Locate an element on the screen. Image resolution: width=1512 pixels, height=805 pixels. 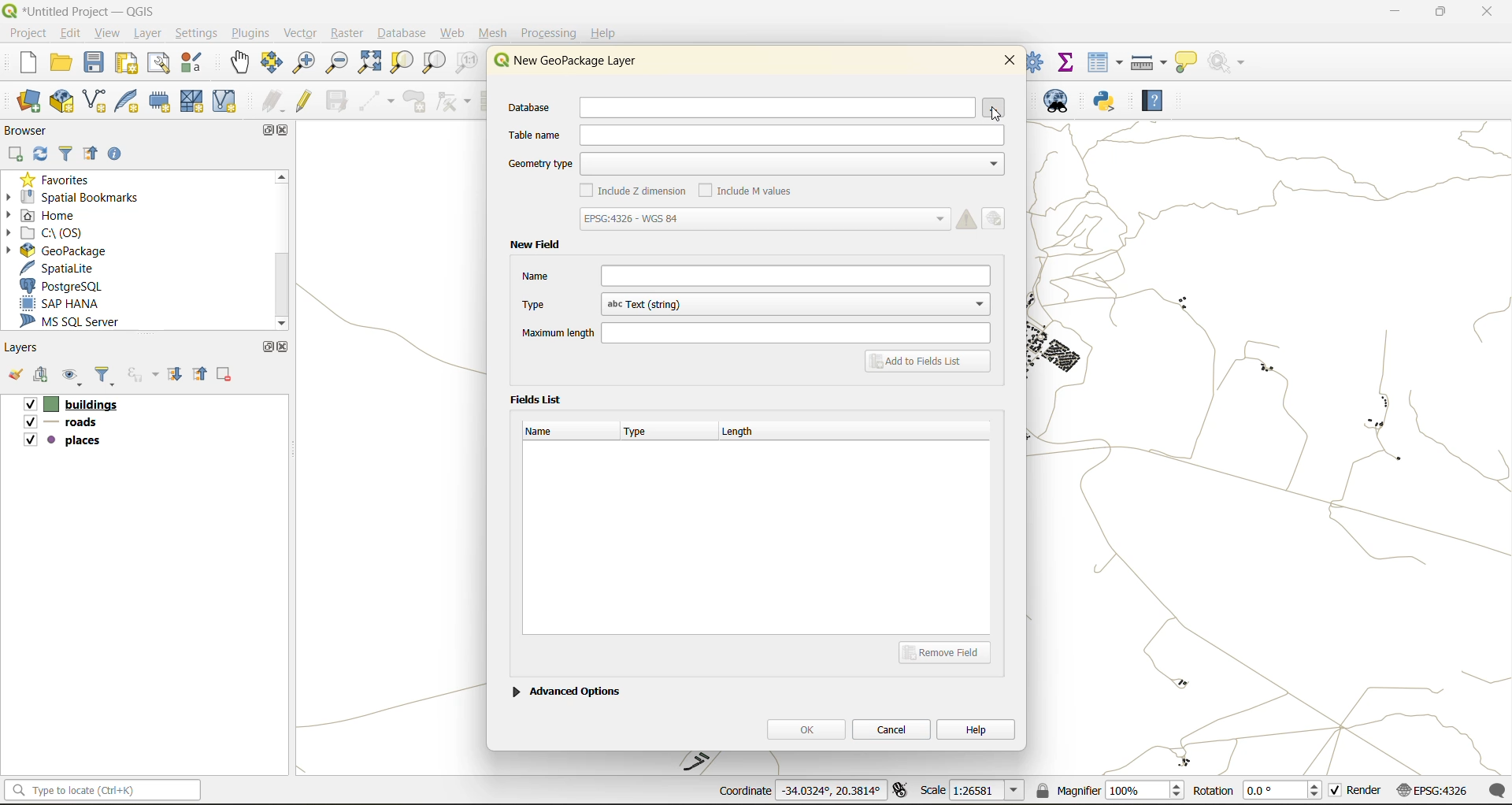
new geopackage layer is located at coordinates (570, 61).